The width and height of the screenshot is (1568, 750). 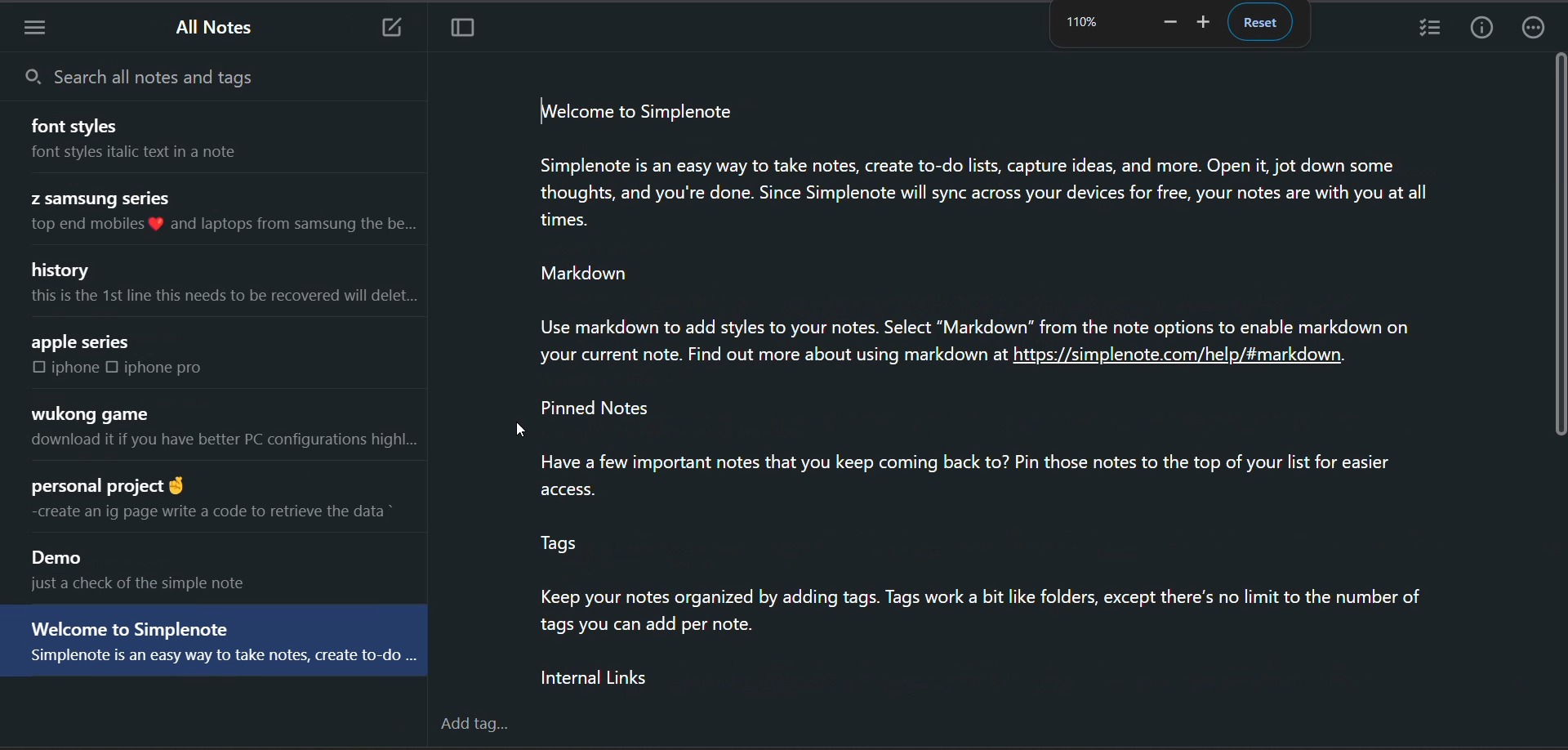 I want to click on download it if you have better PC configurations highl..., so click(x=224, y=443).